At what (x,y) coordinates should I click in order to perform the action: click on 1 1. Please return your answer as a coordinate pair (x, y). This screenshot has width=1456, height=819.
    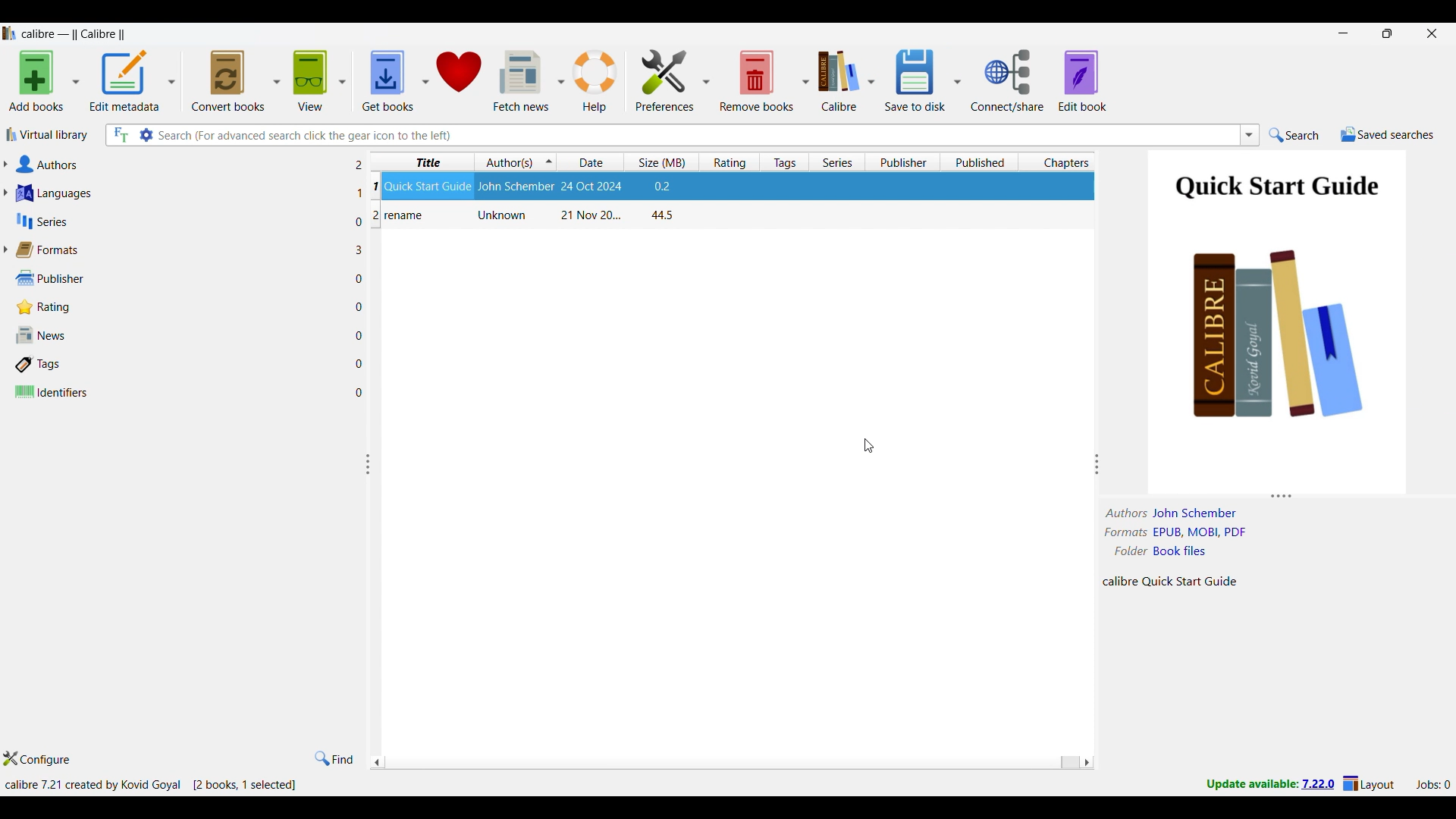
    Looking at the image, I should click on (366, 189).